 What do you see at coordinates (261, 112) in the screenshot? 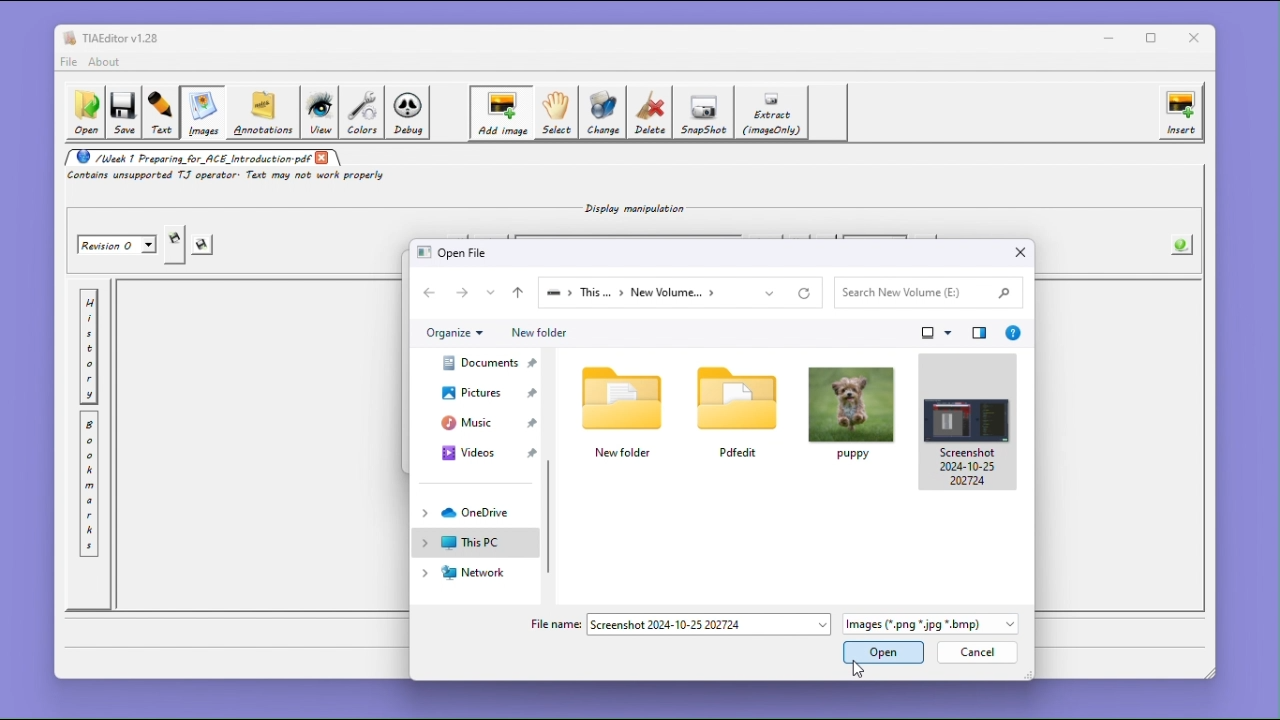
I see `Annotations ` at bounding box center [261, 112].